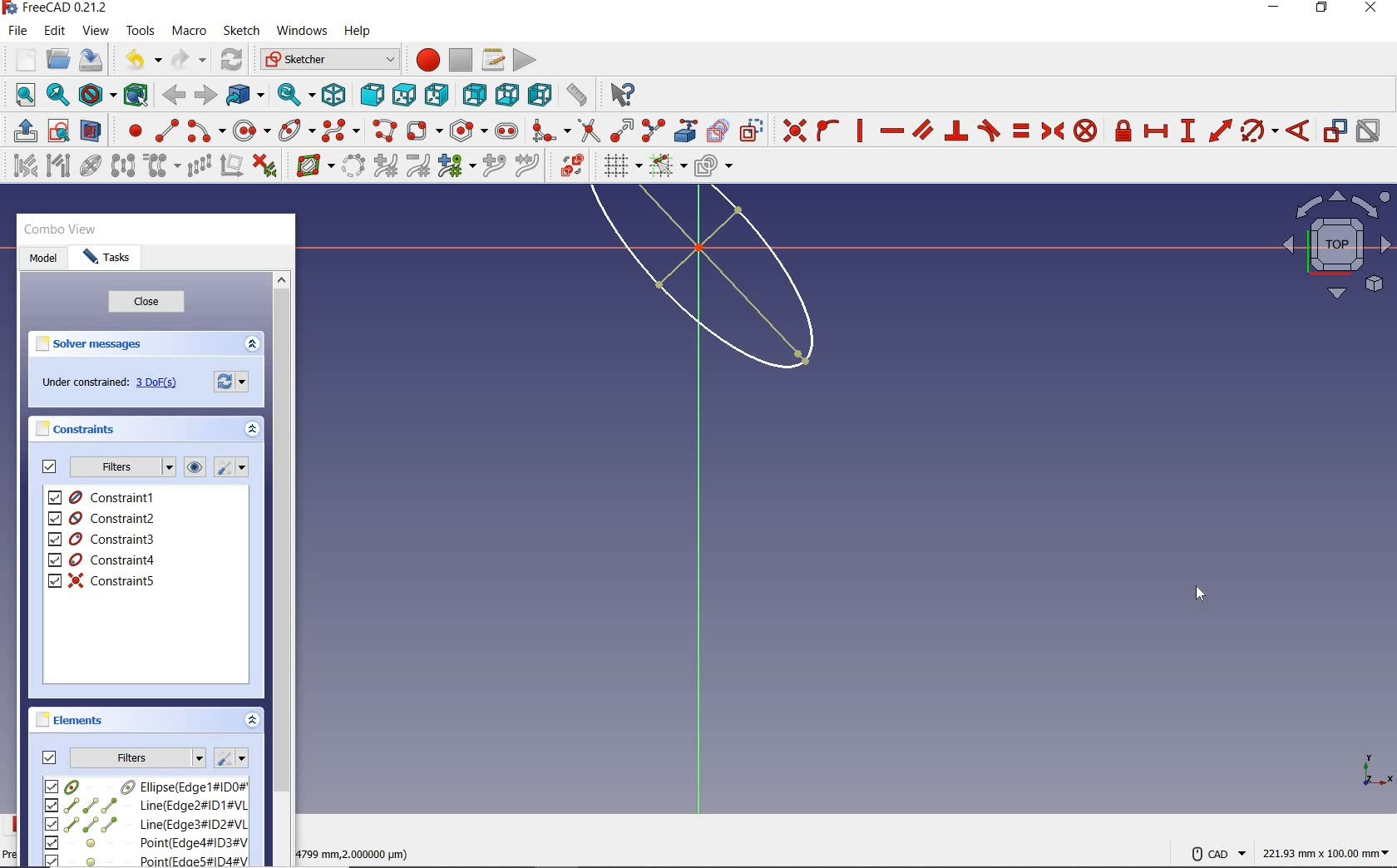  What do you see at coordinates (340, 130) in the screenshot?
I see `create B-Spline` at bounding box center [340, 130].